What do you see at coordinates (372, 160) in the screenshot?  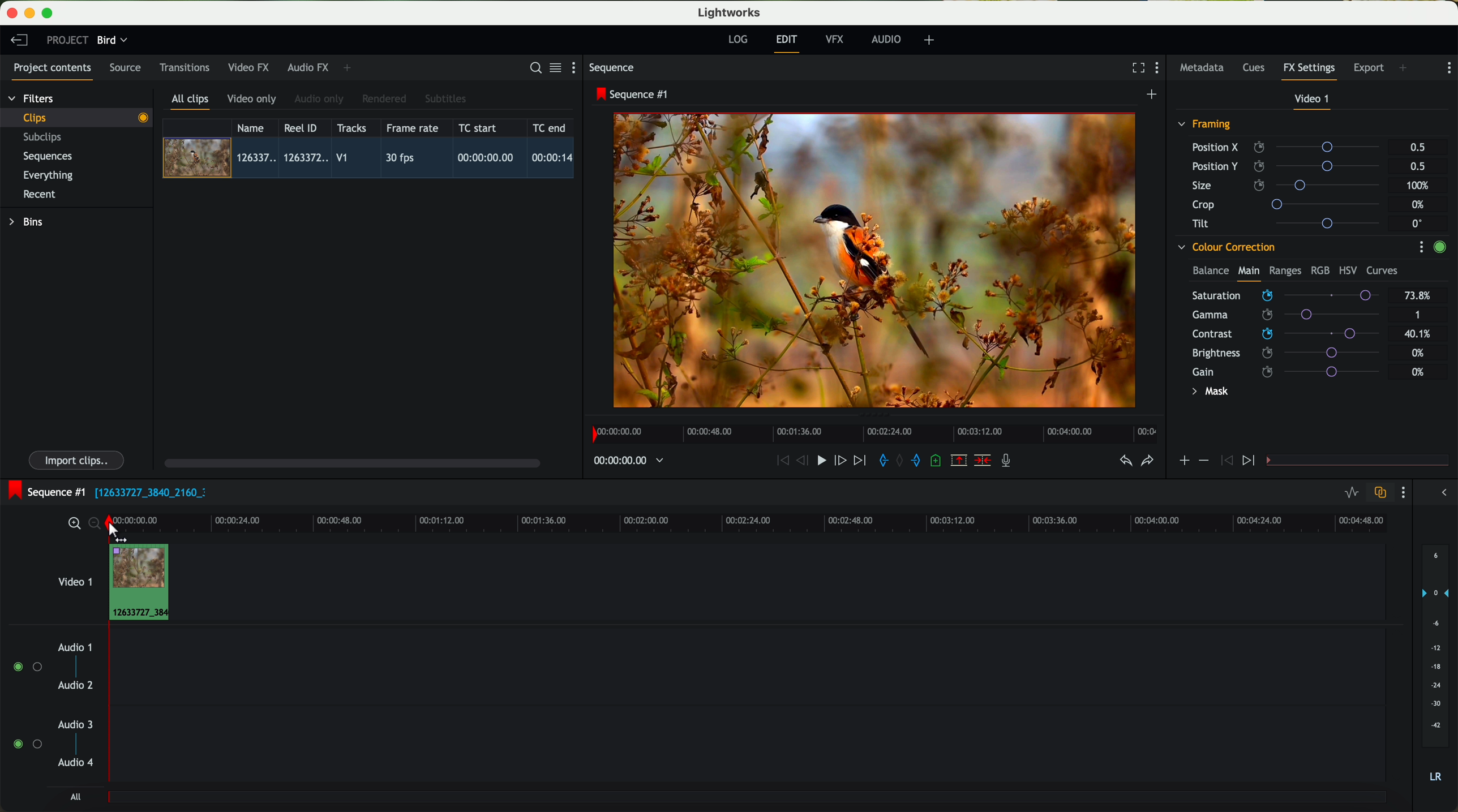 I see `click on video` at bounding box center [372, 160].